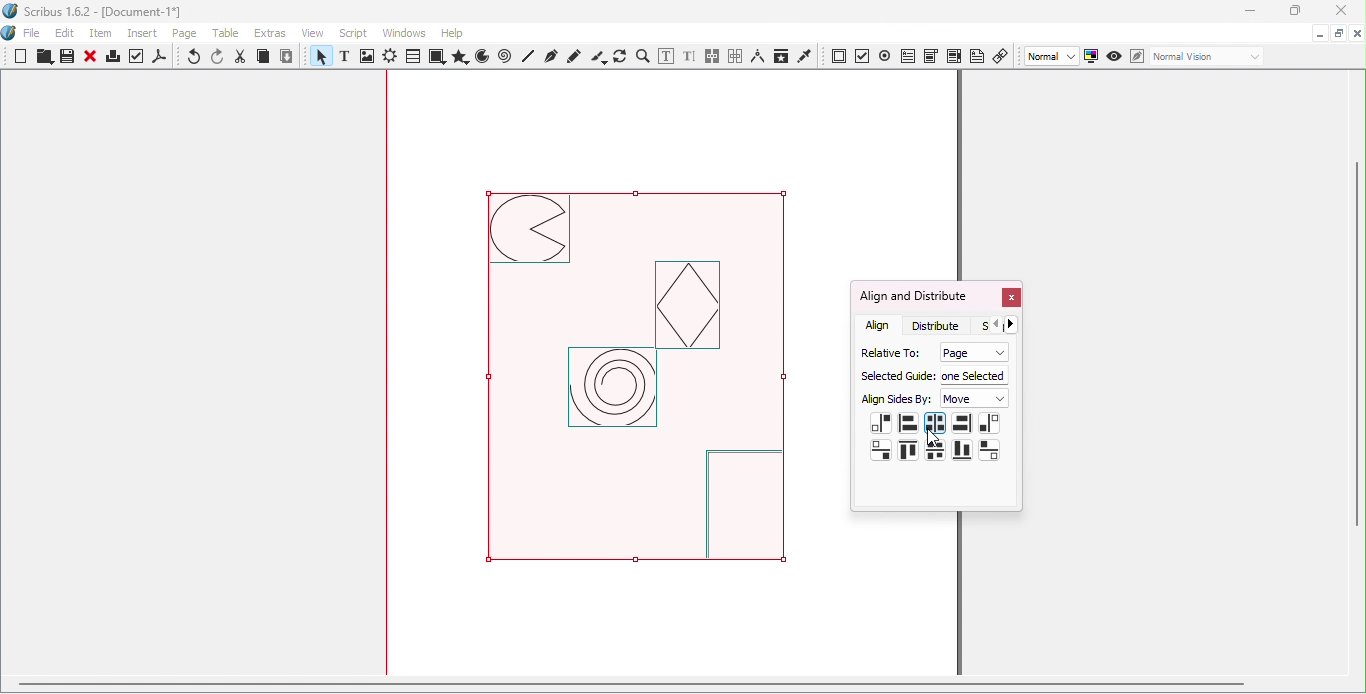 The height and width of the screenshot is (694, 1366). I want to click on Cursor, so click(935, 438).